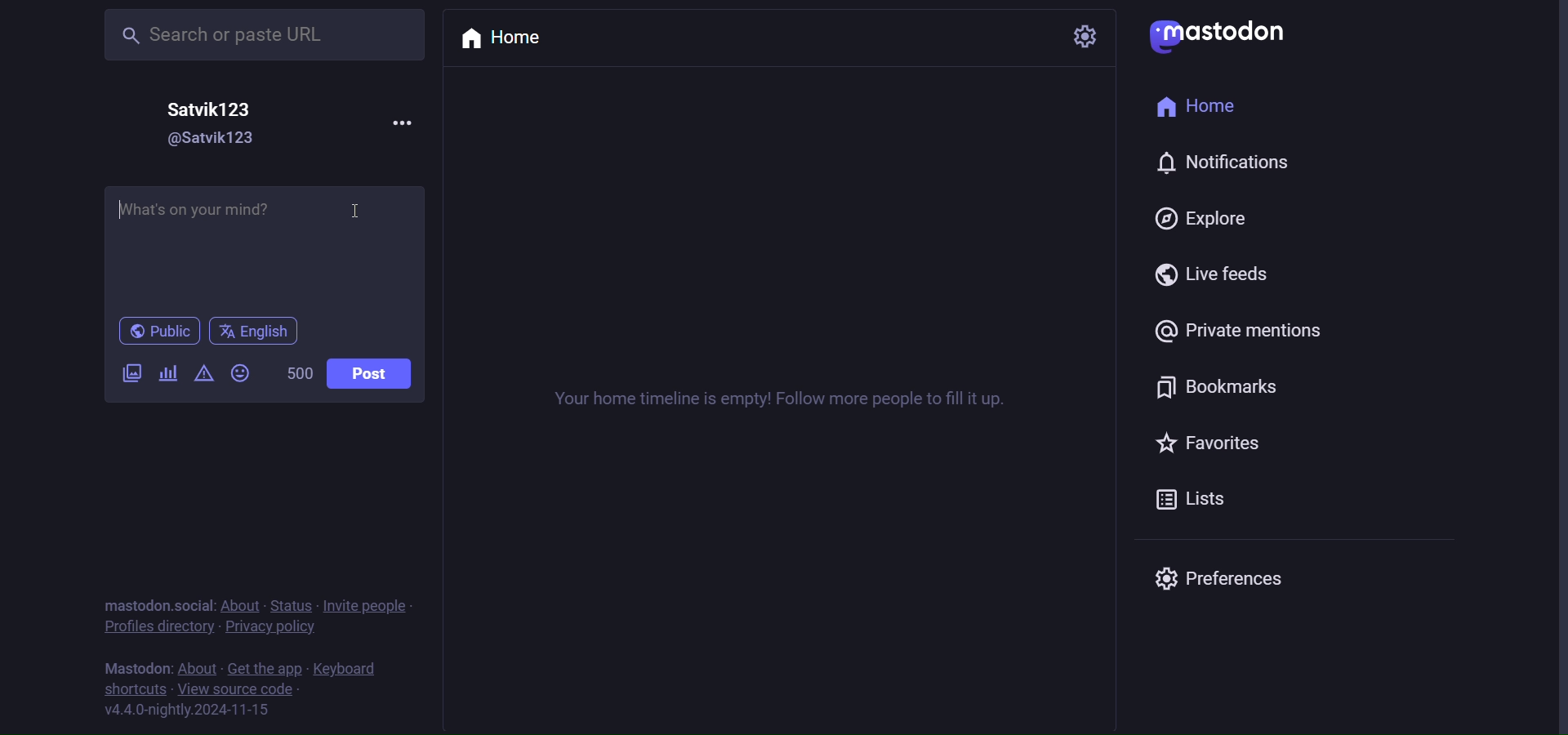 The image size is (1568, 735). I want to click on explore, so click(1202, 218).